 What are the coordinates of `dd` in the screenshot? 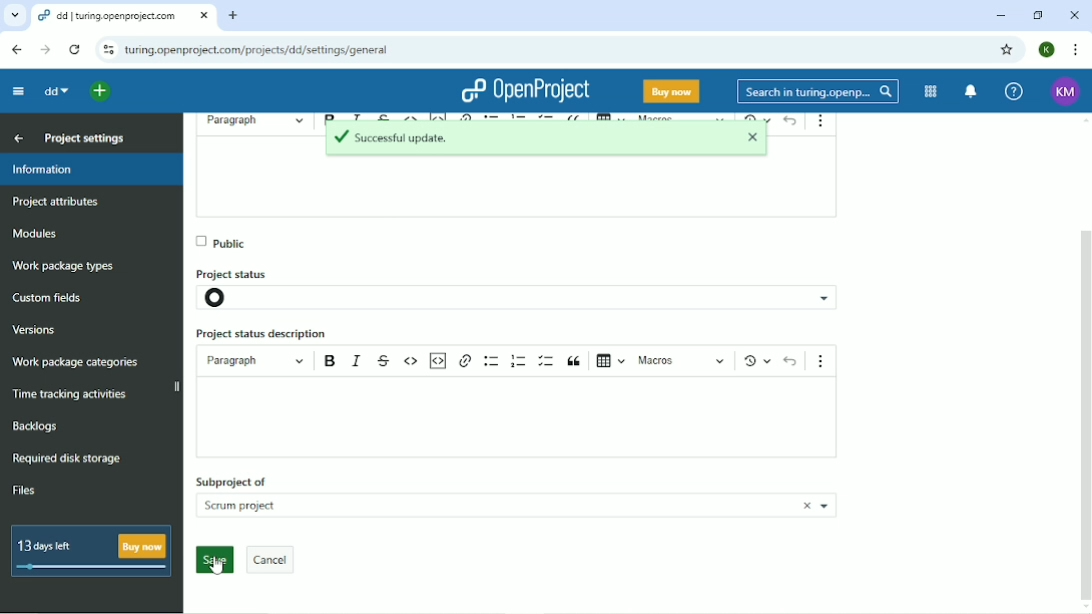 It's located at (55, 91).